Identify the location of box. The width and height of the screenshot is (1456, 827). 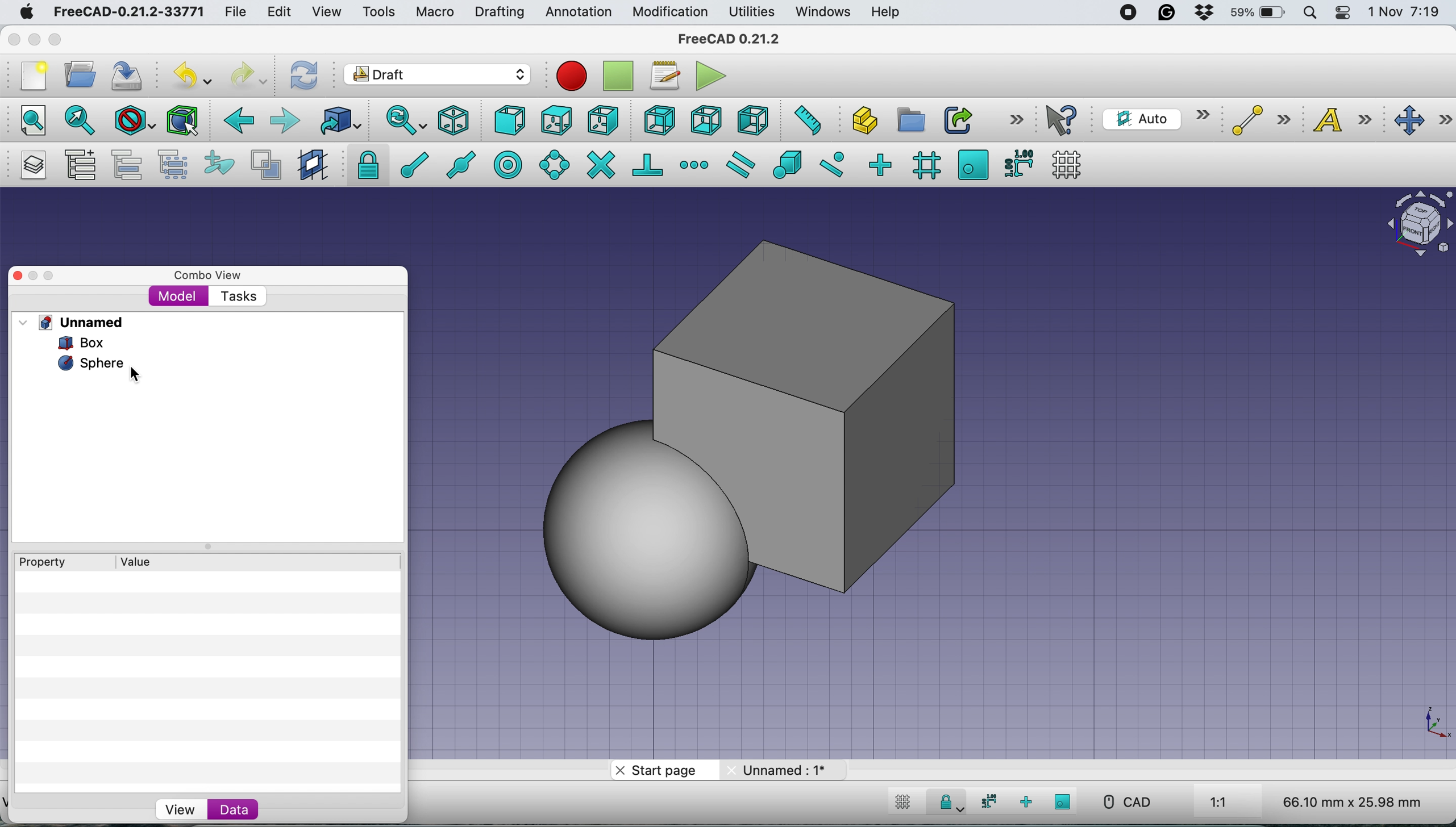
(906, 415).